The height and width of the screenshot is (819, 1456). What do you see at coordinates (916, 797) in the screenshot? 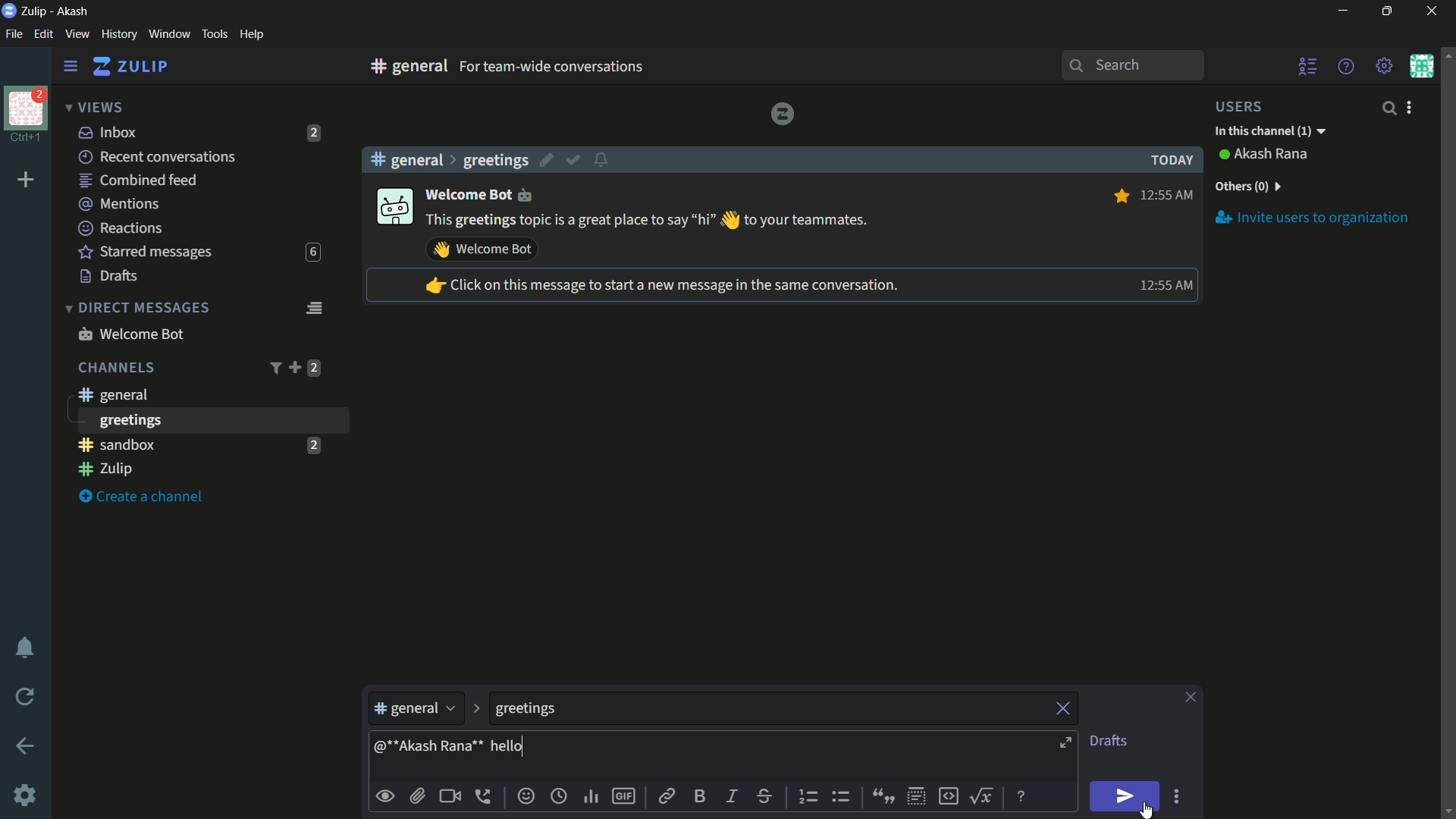
I see `spoiler` at bounding box center [916, 797].